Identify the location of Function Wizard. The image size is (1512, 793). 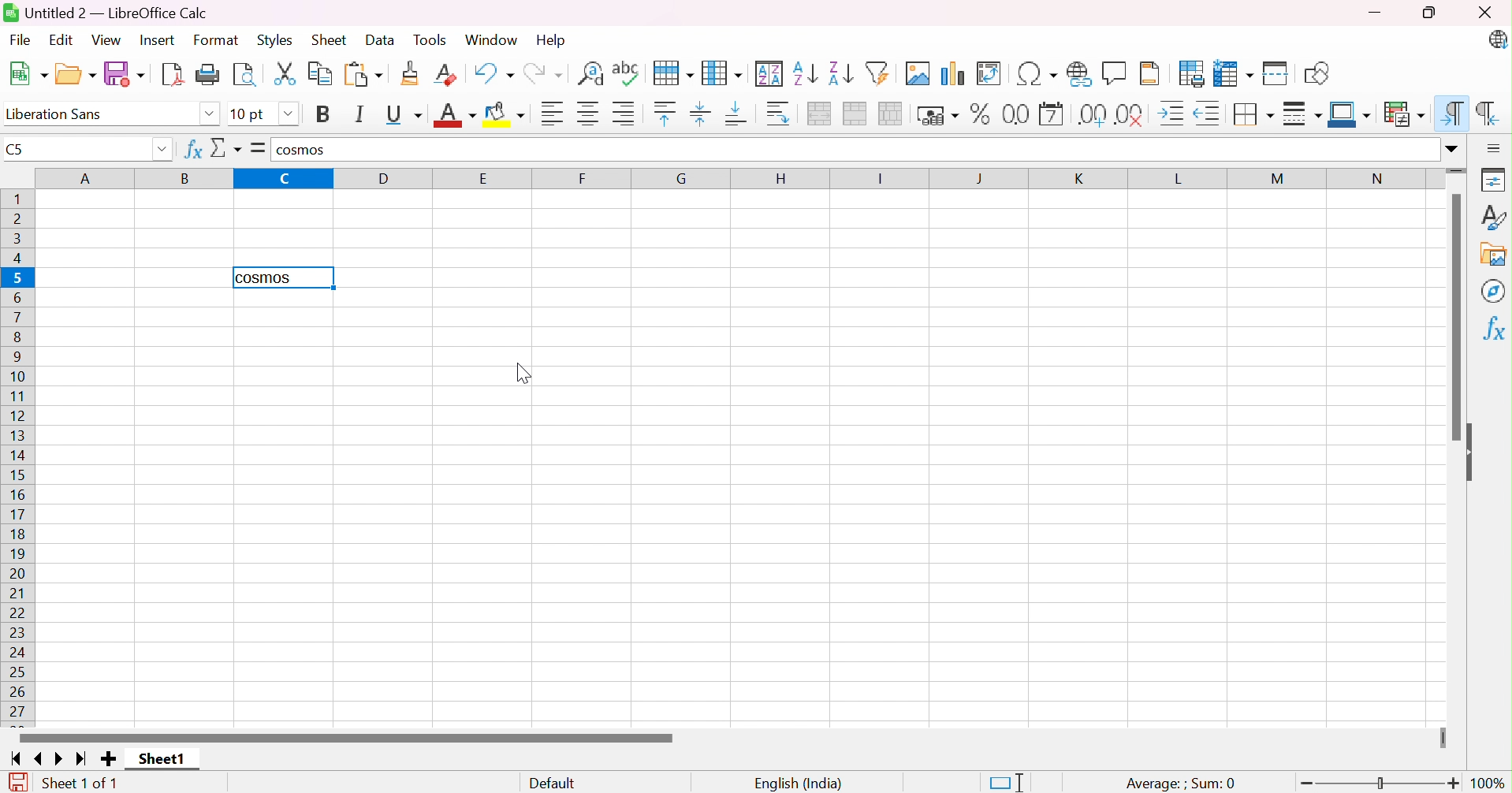
(192, 148).